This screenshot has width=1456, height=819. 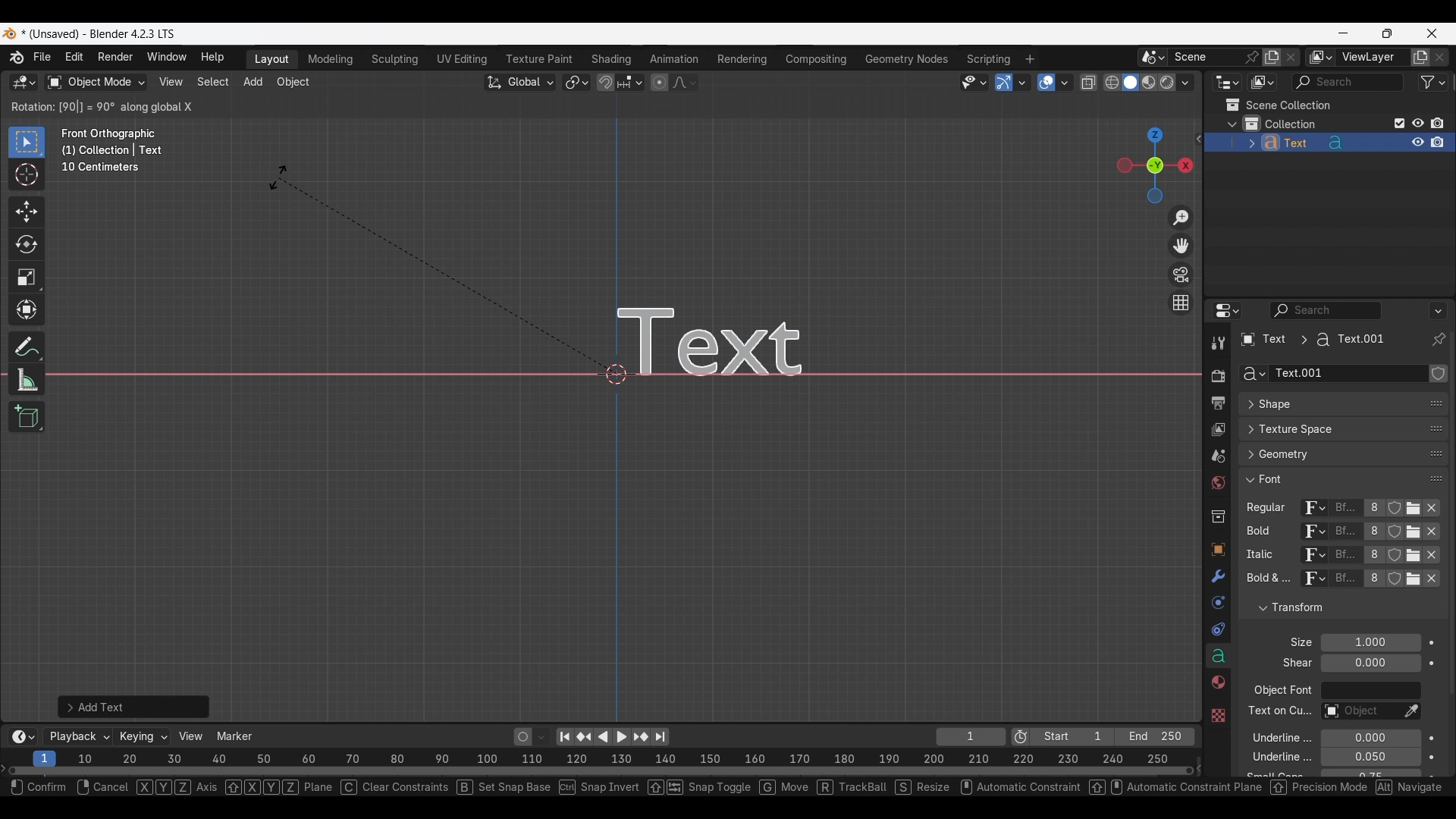 I want to click on Collection 1, so click(x=1283, y=124).